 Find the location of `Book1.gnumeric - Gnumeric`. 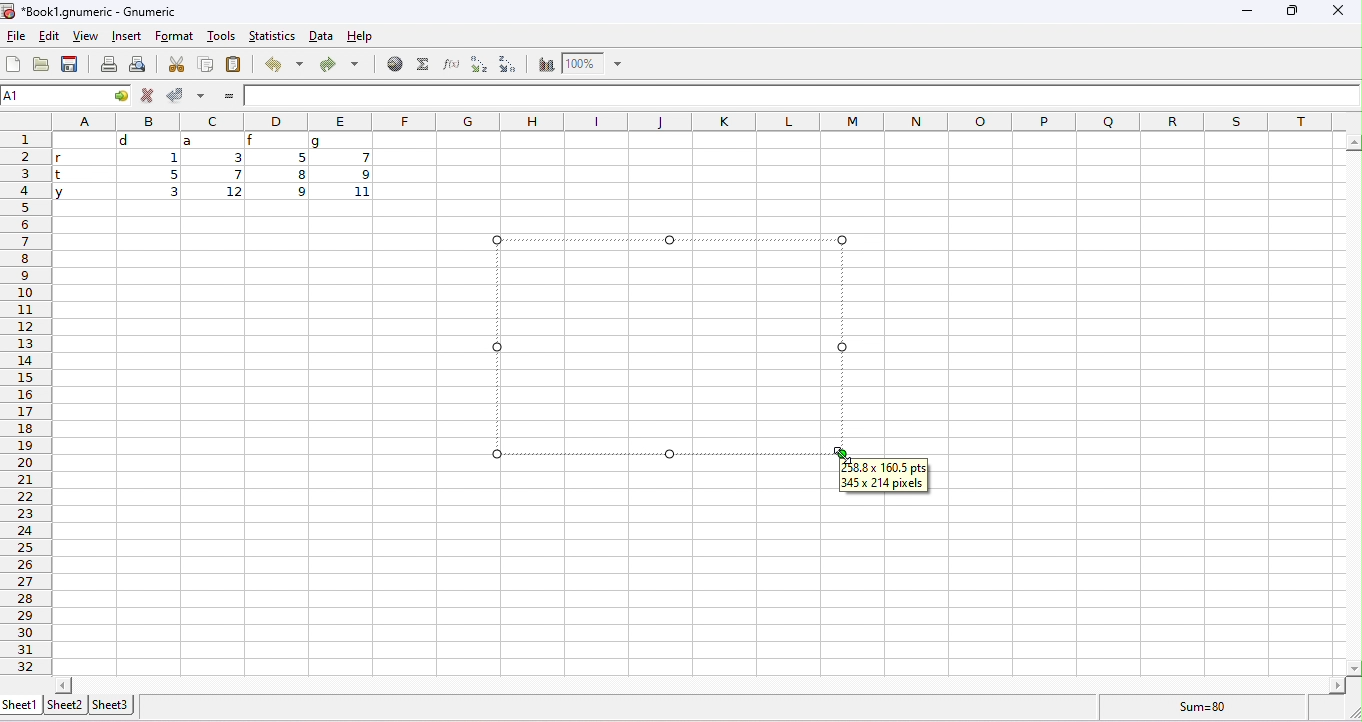

Book1.gnumeric - Gnumeric is located at coordinates (92, 11).